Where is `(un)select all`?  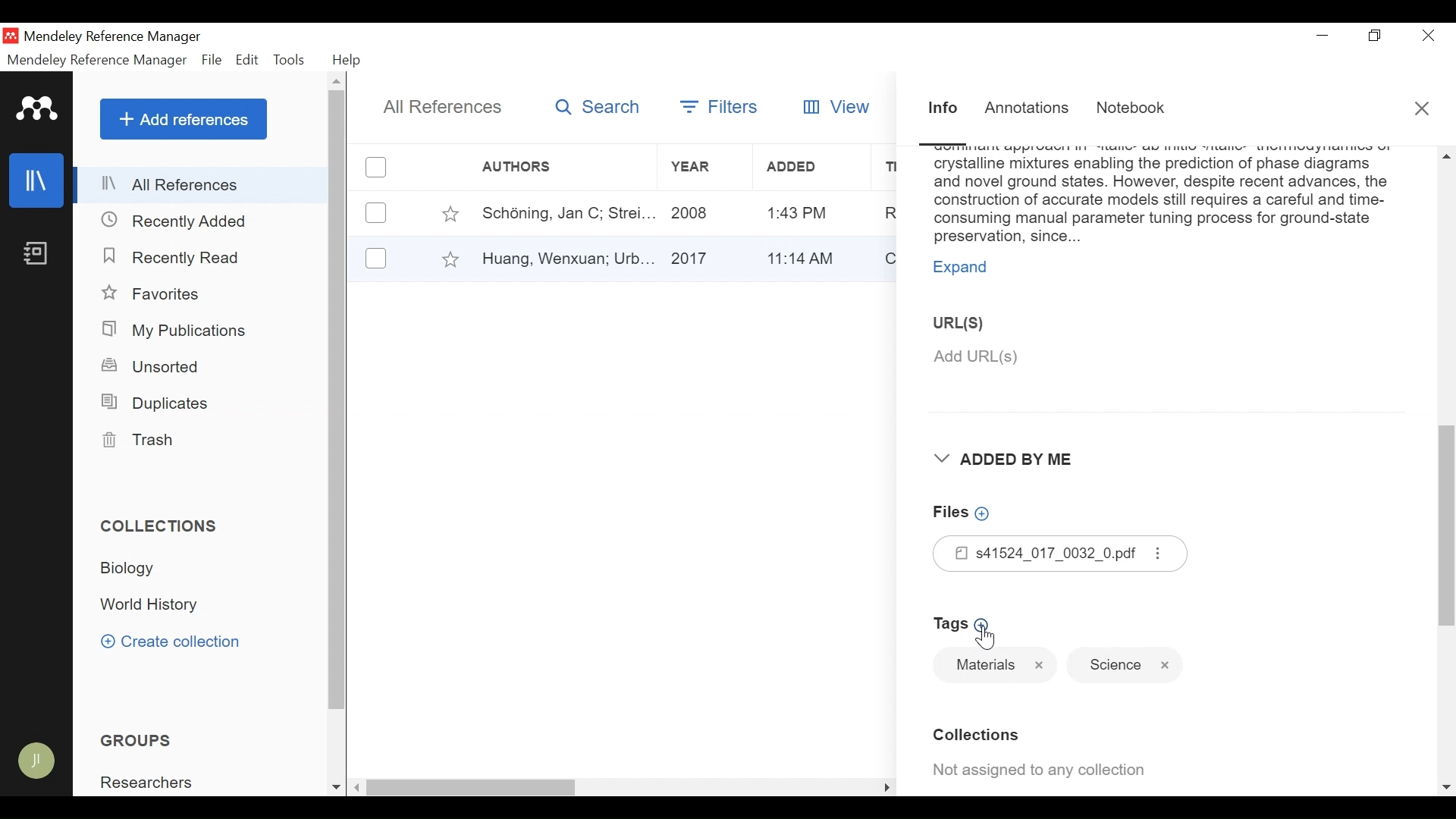 (un)select all is located at coordinates (376, 168).